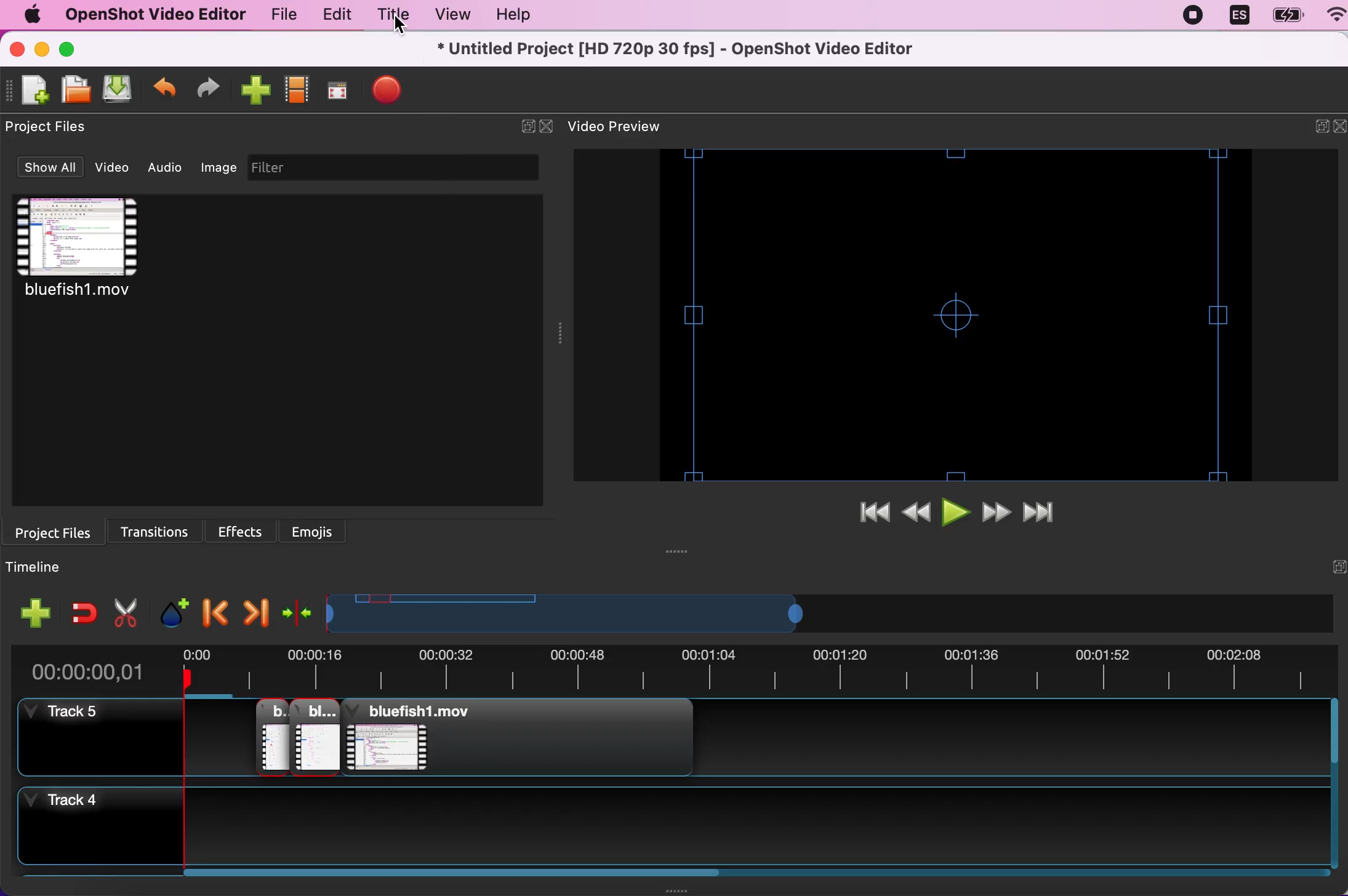 This screenshot has width=1348, height=896. I want to click on enable snapping, so click(84, 612).